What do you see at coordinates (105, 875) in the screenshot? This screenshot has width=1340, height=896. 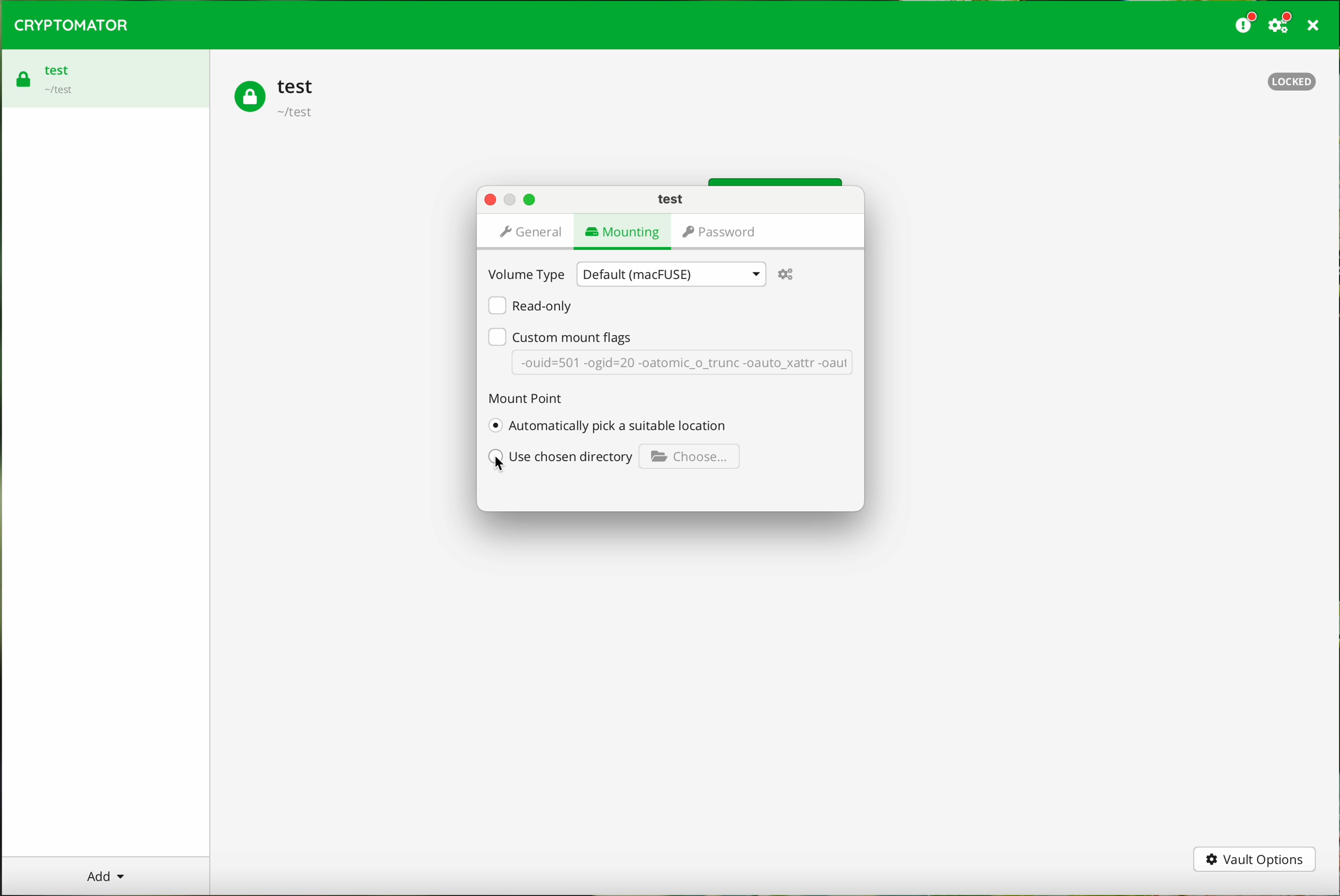 I see `add button` at bounding box center [105, 875].